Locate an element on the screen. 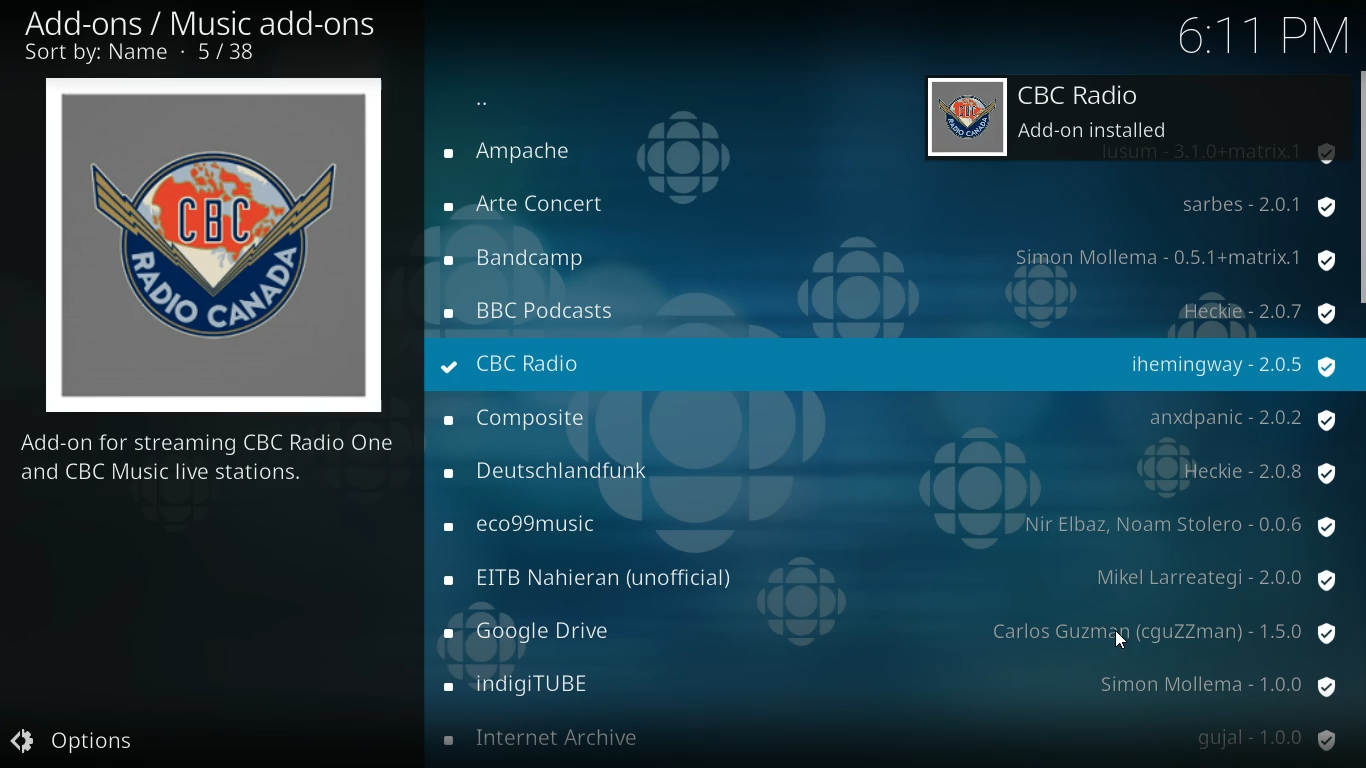  radio installed is located at coordinates (1131, 117).